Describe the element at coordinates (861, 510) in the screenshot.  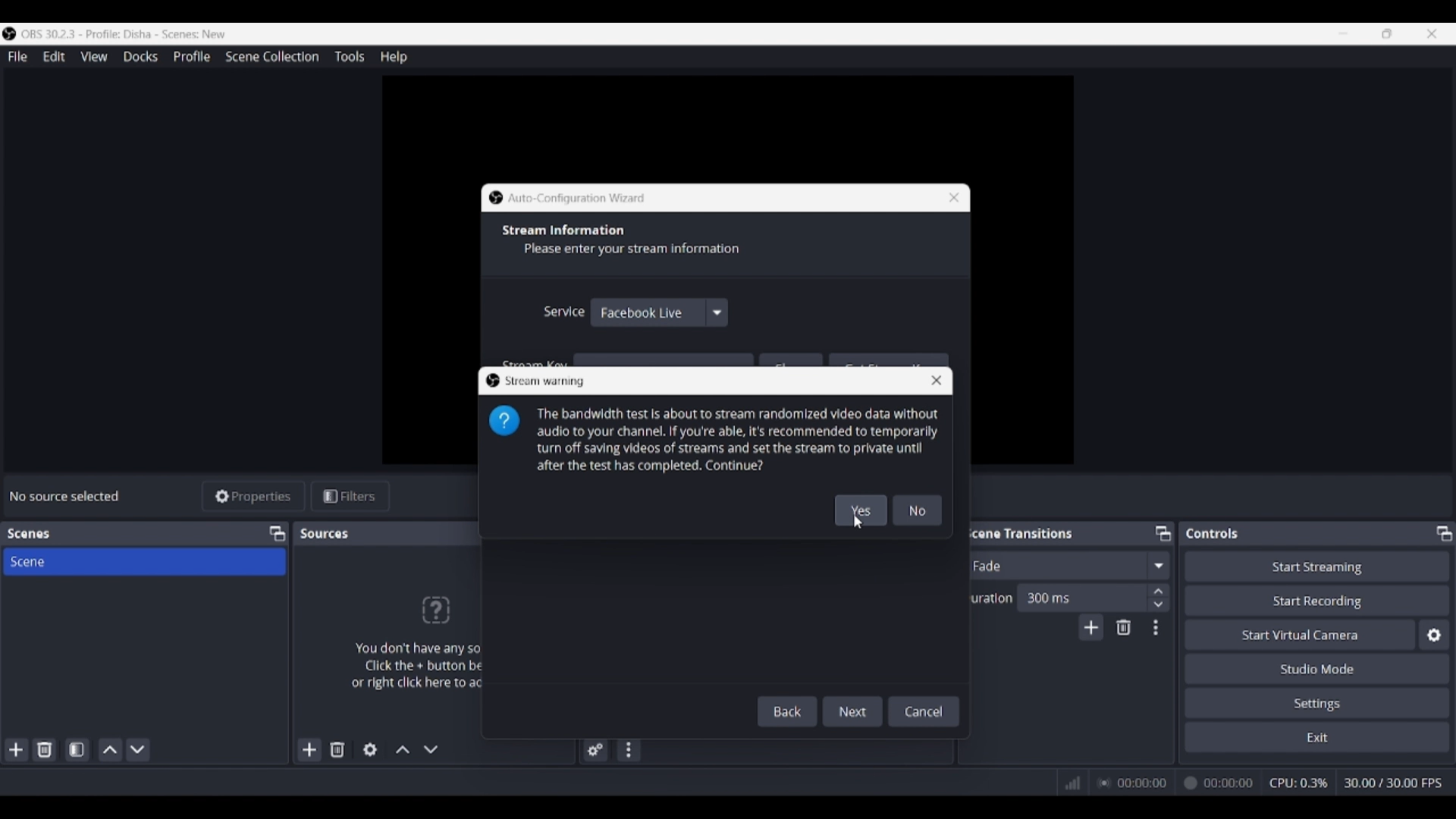
I see `Accept` at that location.